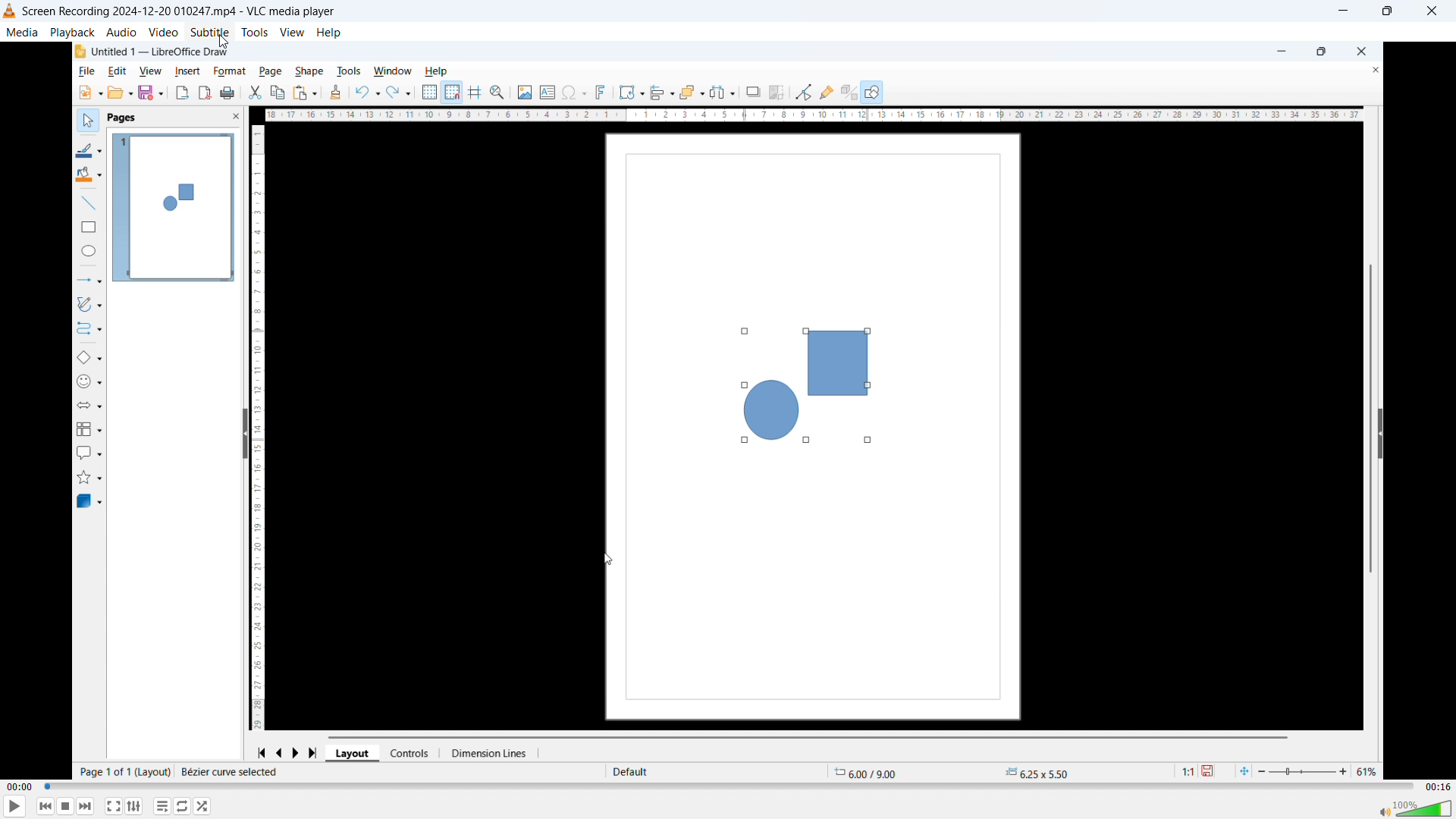 The height and width of the screenshot is (819, 1456). I want to click on shapes, so click(801, 384).